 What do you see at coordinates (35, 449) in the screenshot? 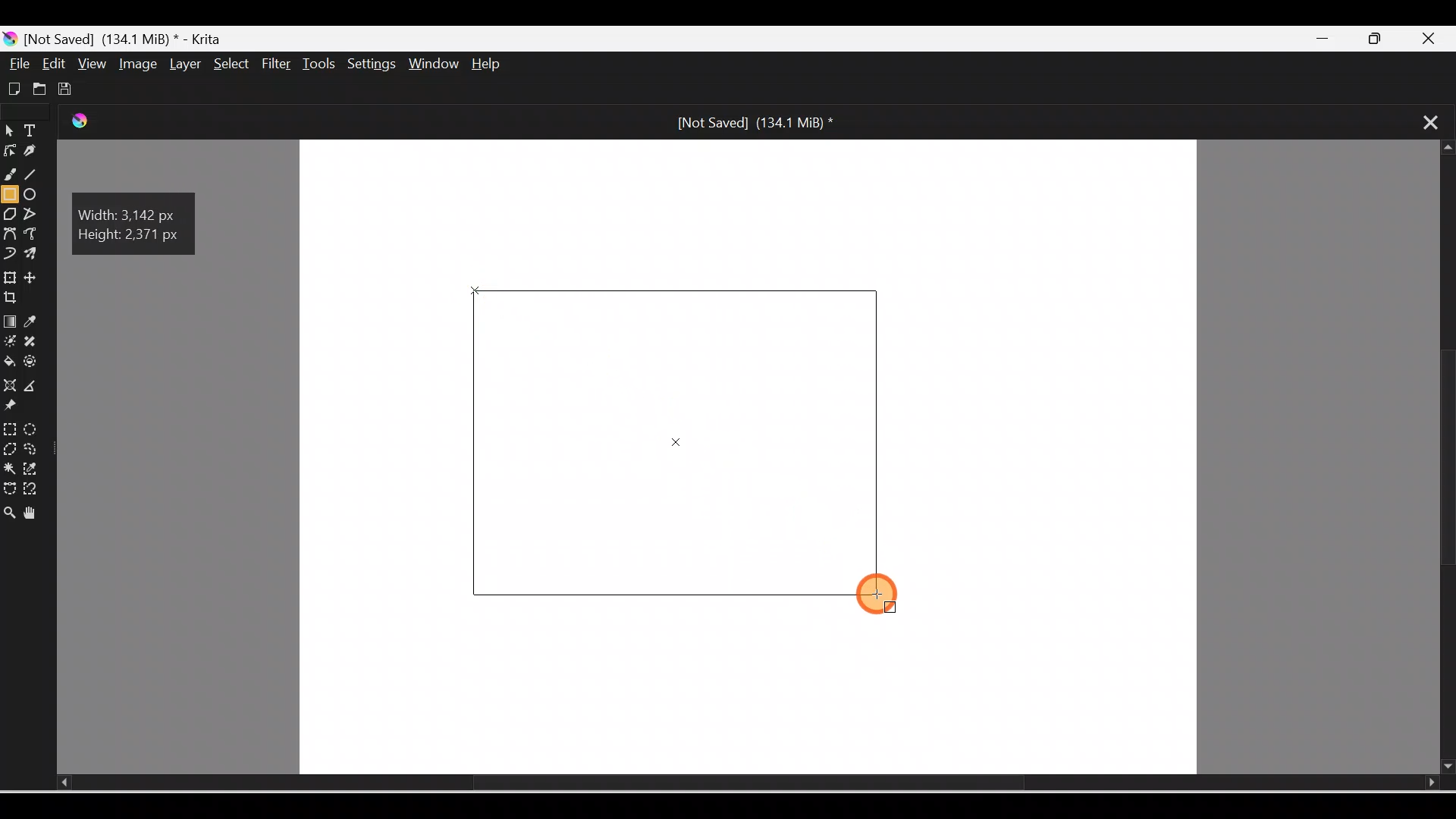
I see `Freehand selection tool` at bounding box center [35, 449].